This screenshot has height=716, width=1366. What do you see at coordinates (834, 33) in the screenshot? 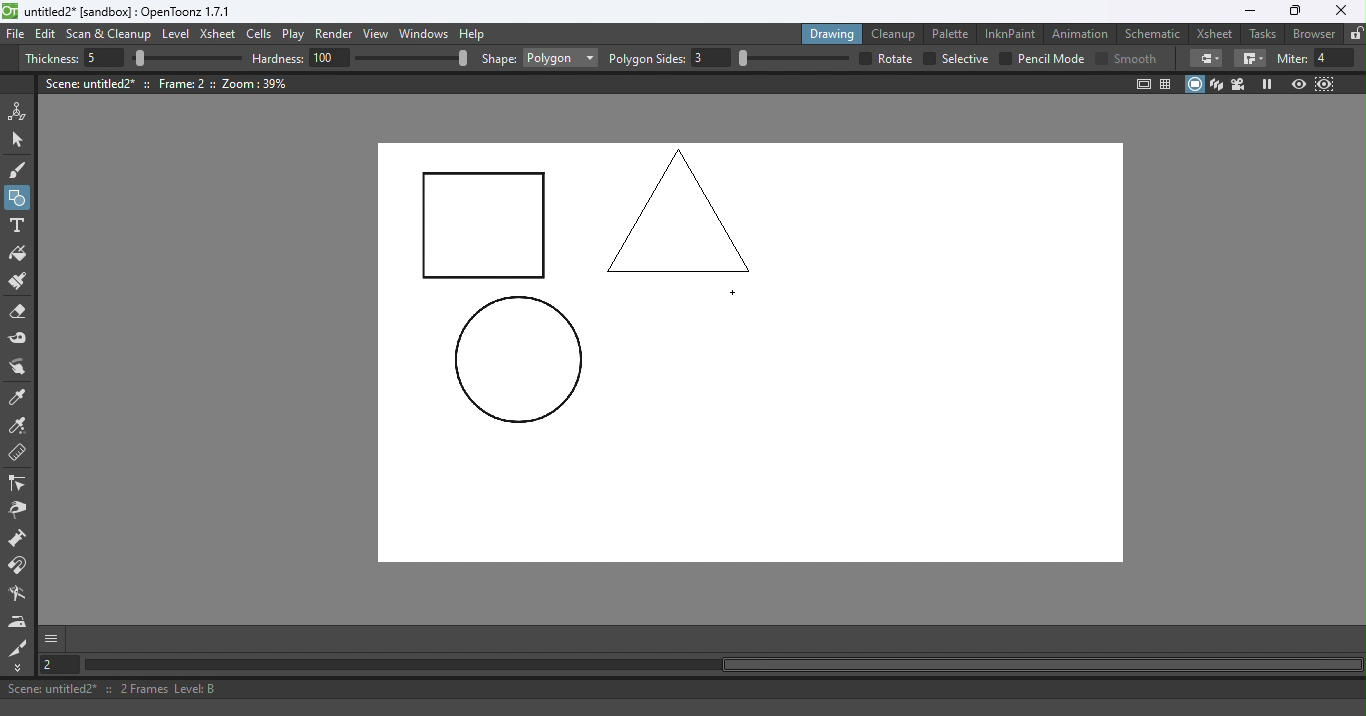
I see `Drawing` at bounding box center [834, 33].